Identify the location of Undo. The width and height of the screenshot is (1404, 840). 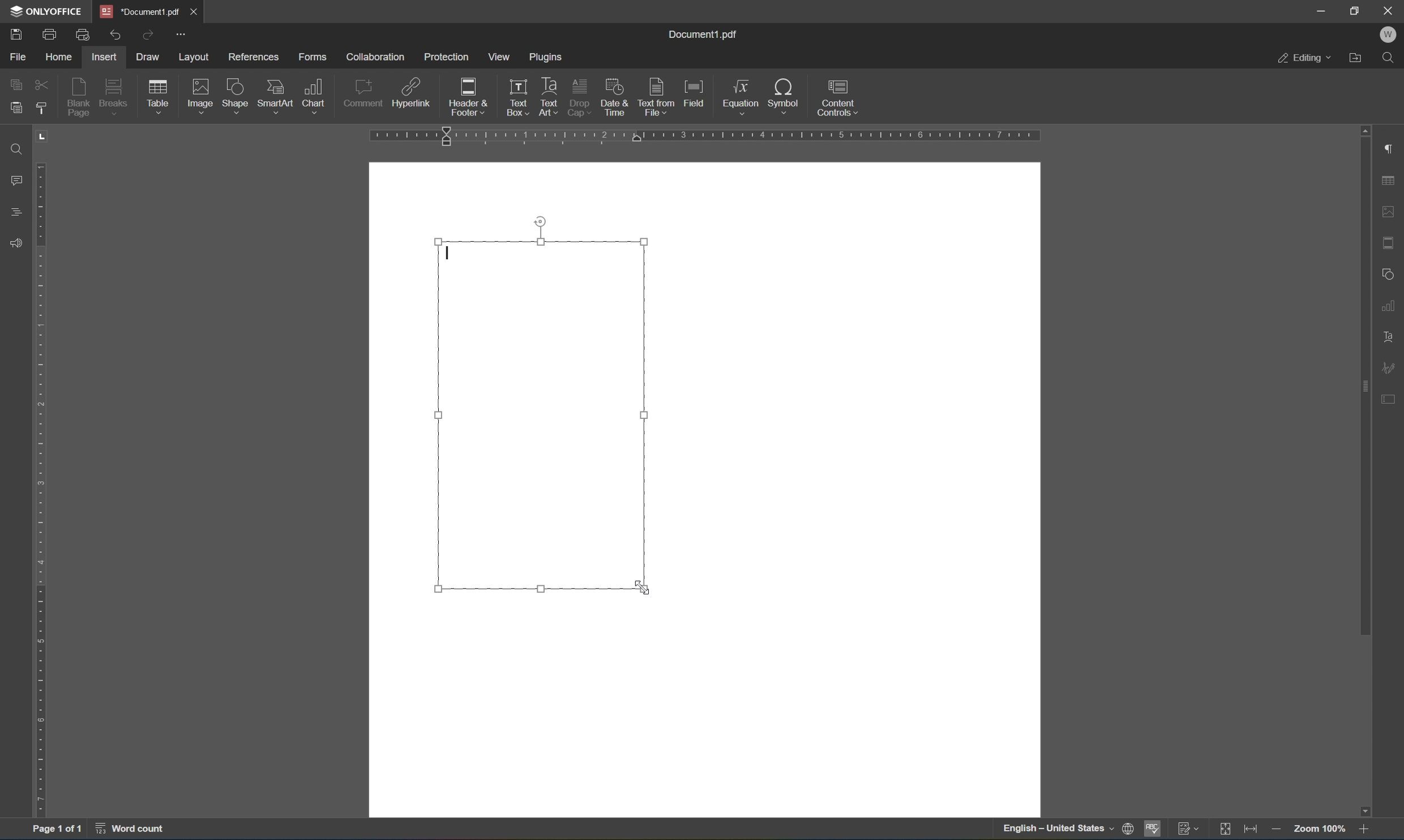
(114, 37).